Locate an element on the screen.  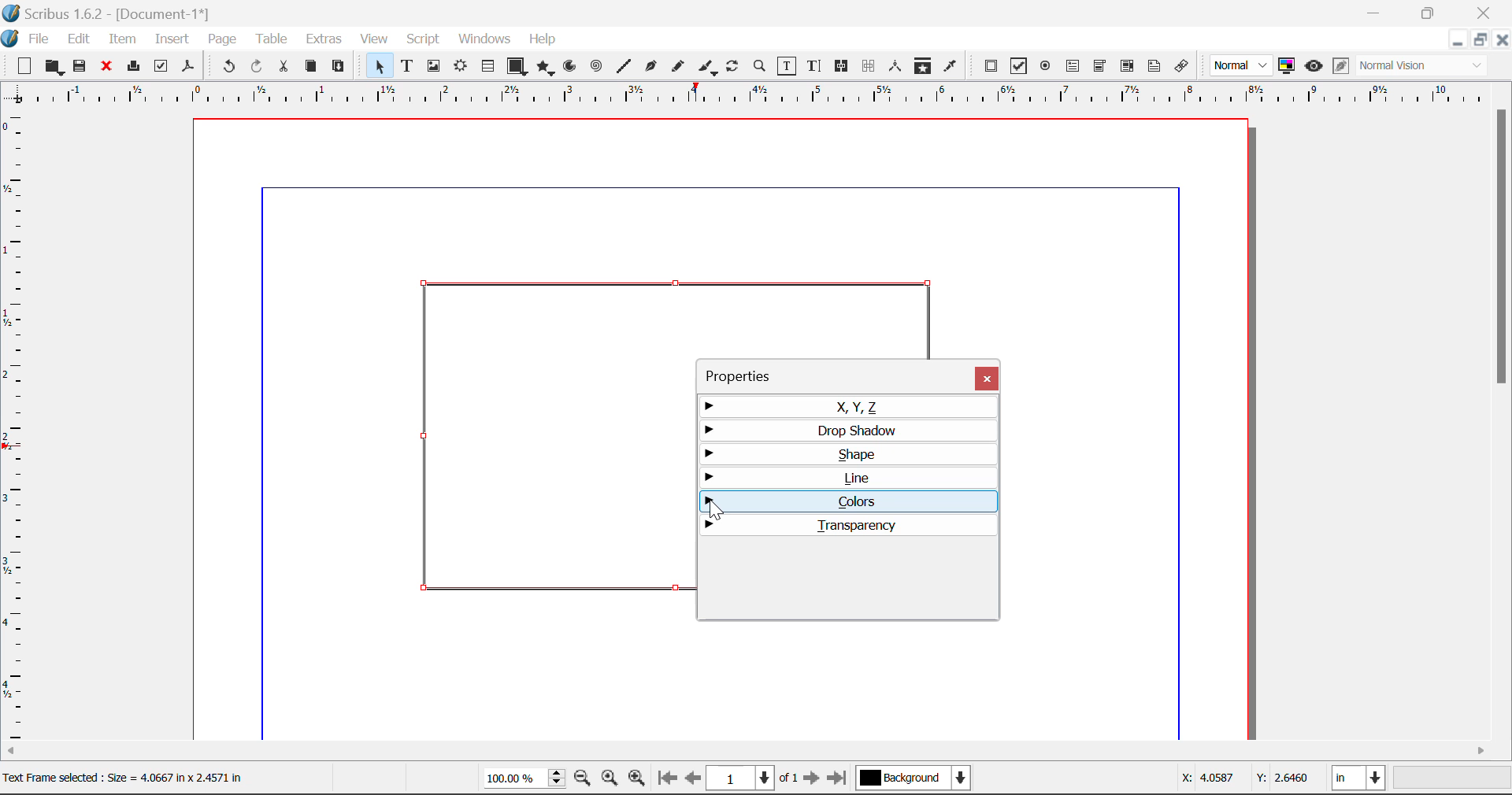
Link Annotation is located at coordinates (1180, 66).